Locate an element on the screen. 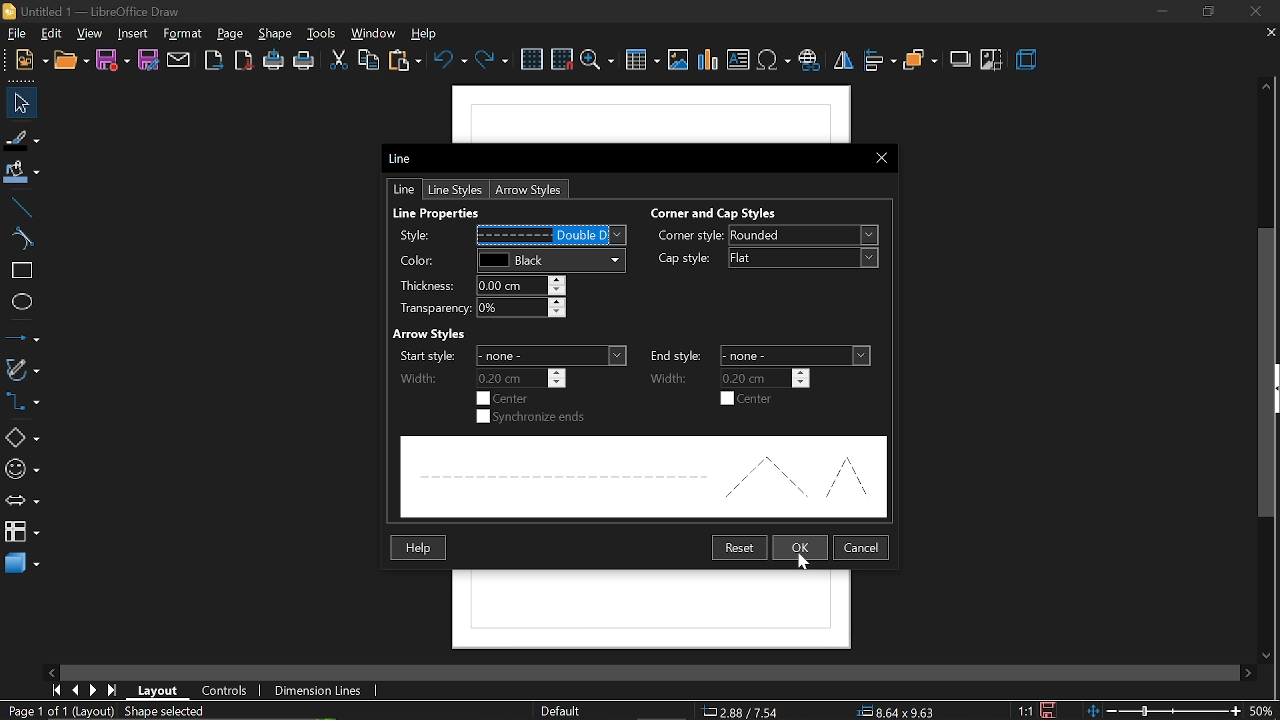 Image resolution: width=1280 pixels, height=720 pixels. shadow is located at coordinates (961, 59).